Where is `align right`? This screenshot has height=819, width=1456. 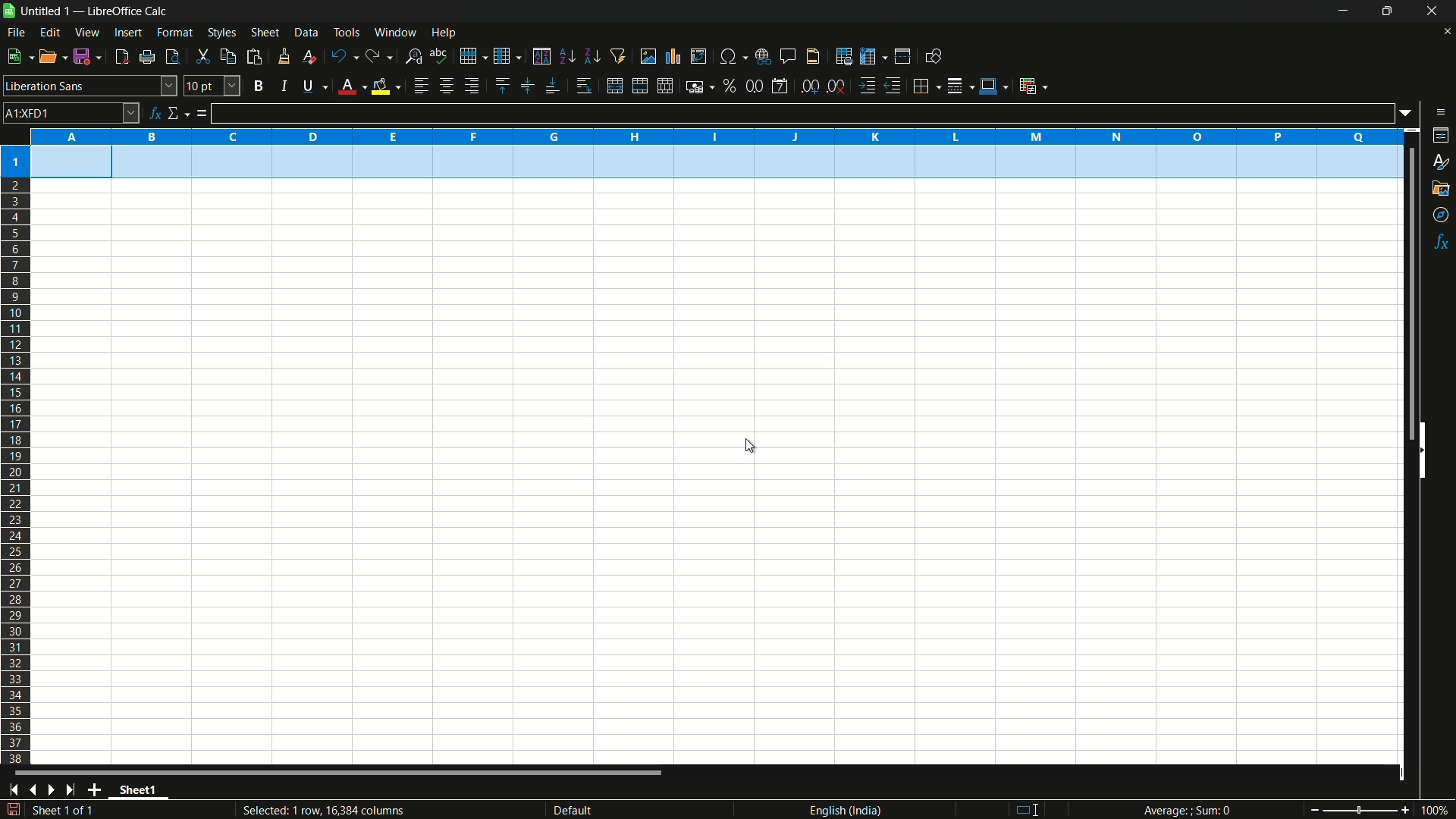 align right is located at coordinates (470, 86).